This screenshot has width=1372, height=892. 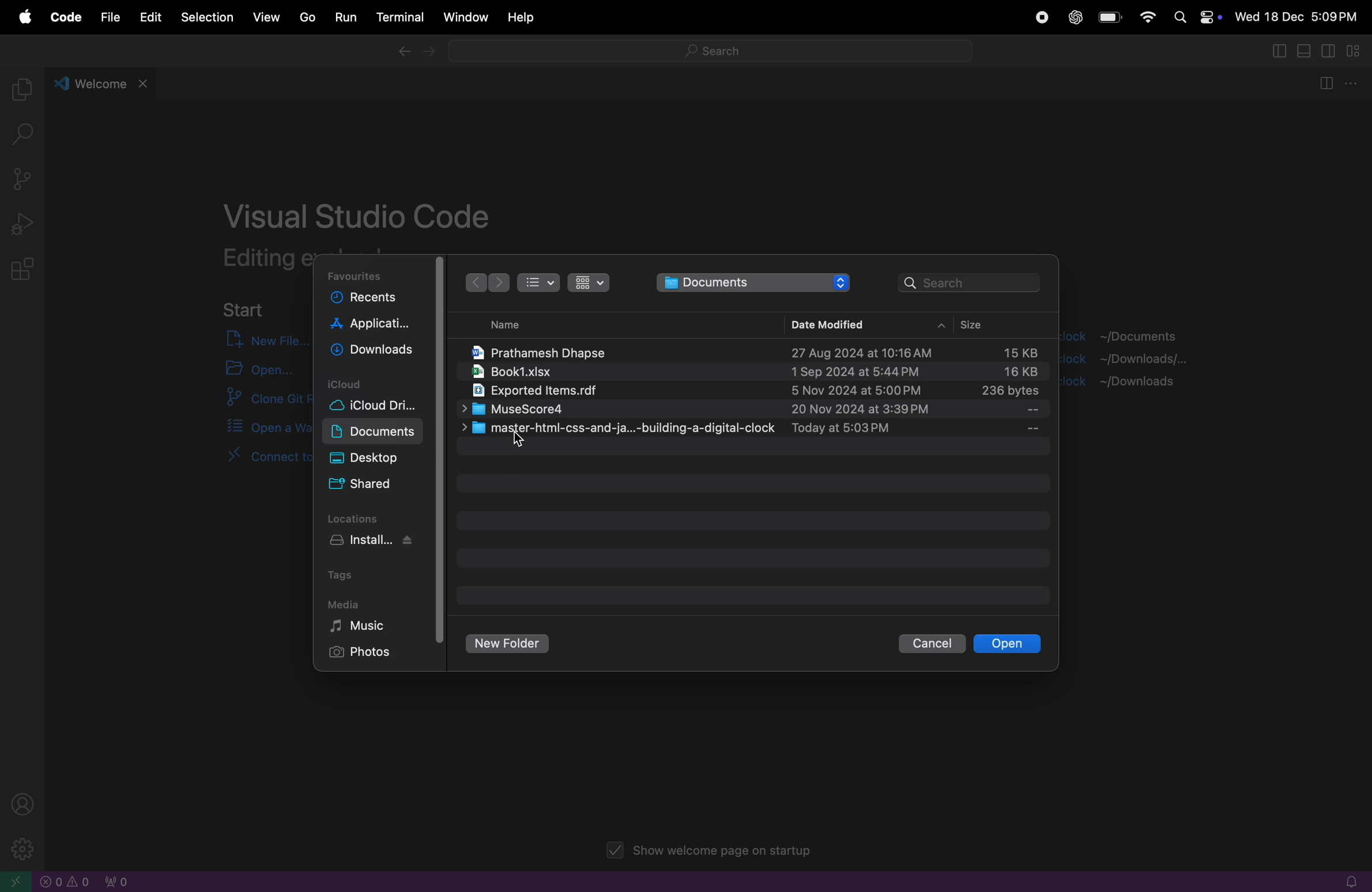 I want to click on view port, so click(x=115, y=881).